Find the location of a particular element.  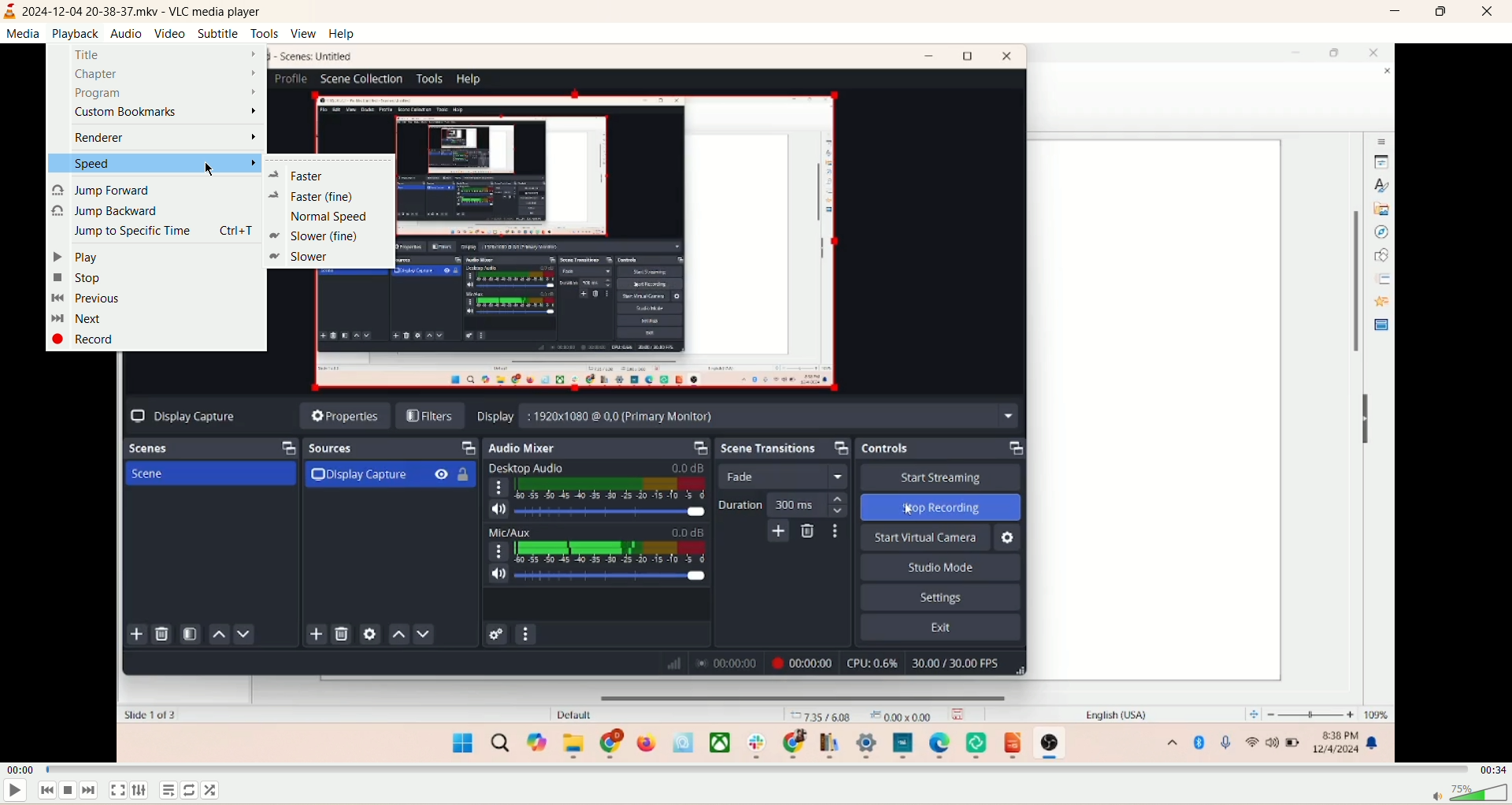

subtitle is located at coordinates (219, 34).